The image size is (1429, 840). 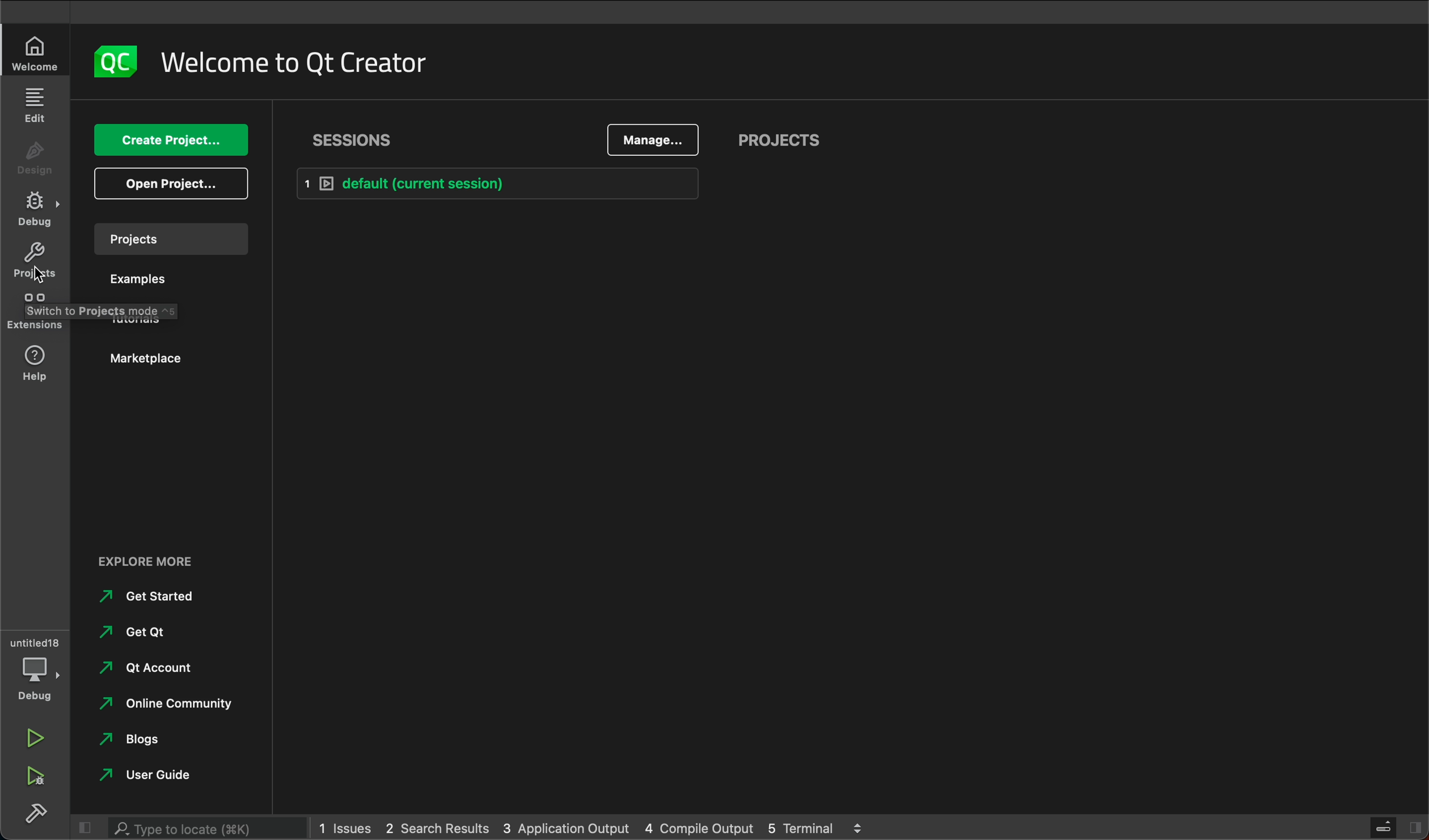 I want to click on manage, so click(x=655, y=137).